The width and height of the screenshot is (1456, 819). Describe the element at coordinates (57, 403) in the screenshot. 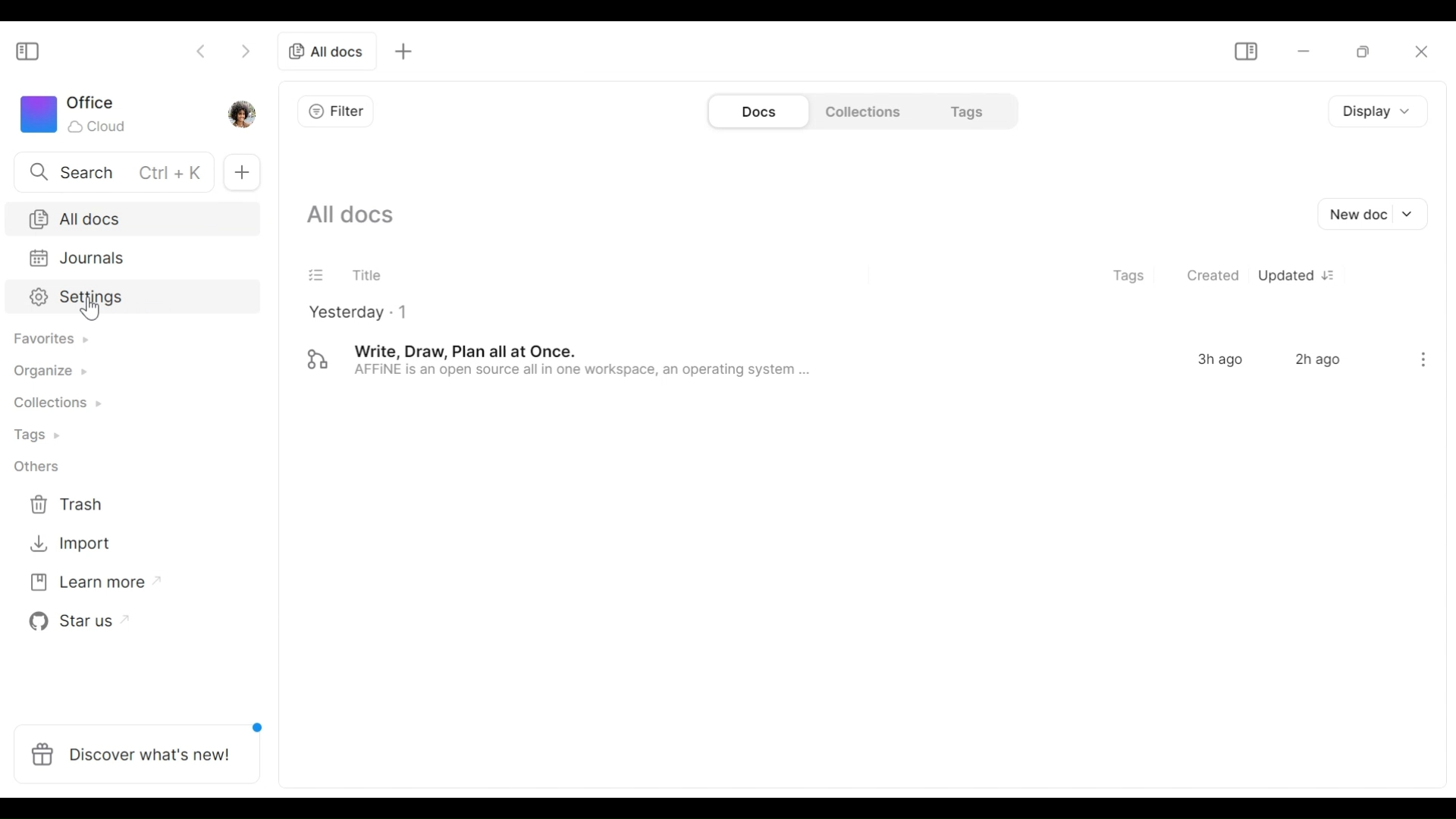

I see `collections` at that location.